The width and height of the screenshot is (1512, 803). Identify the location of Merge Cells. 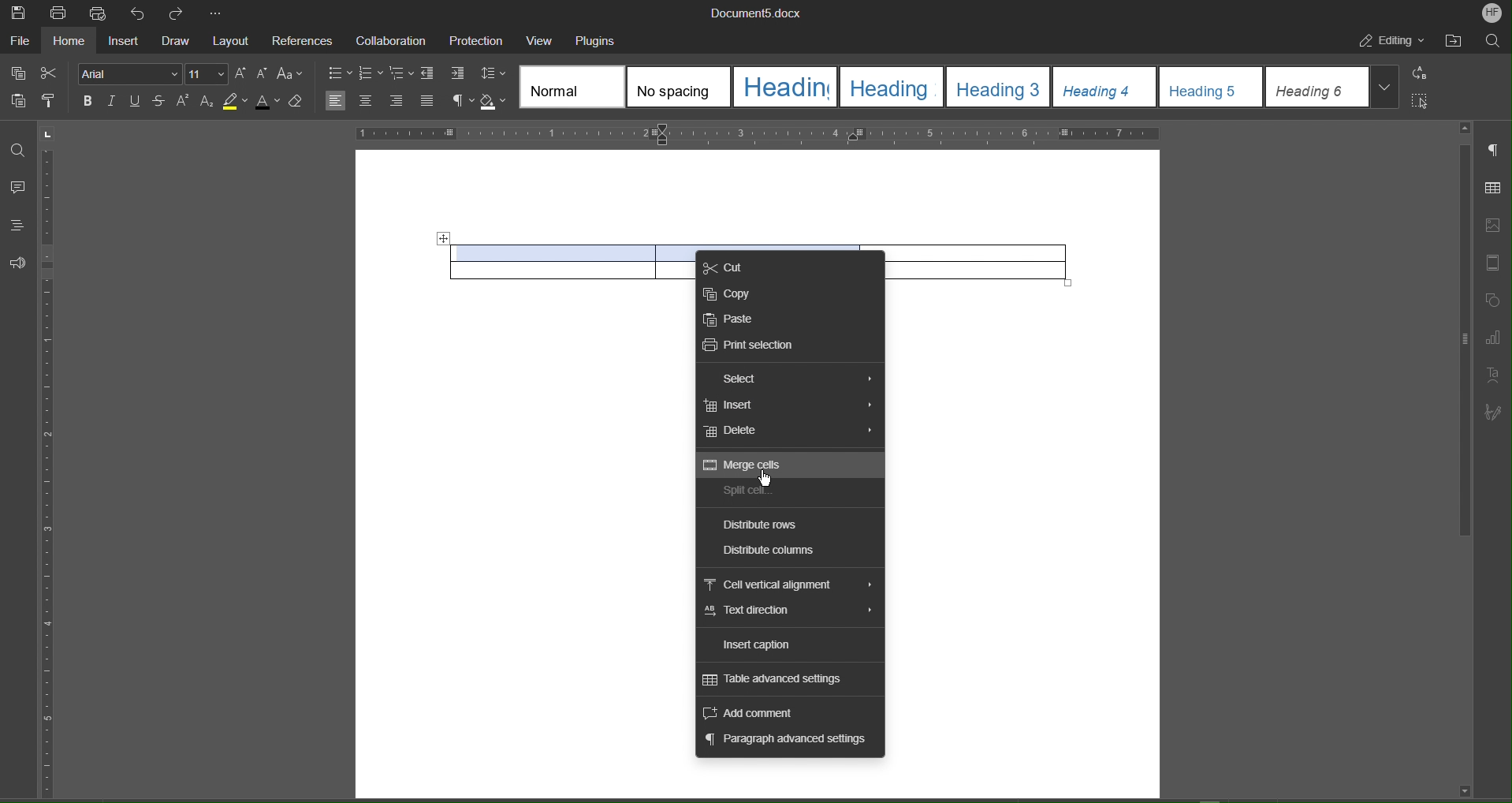
(751, 466).